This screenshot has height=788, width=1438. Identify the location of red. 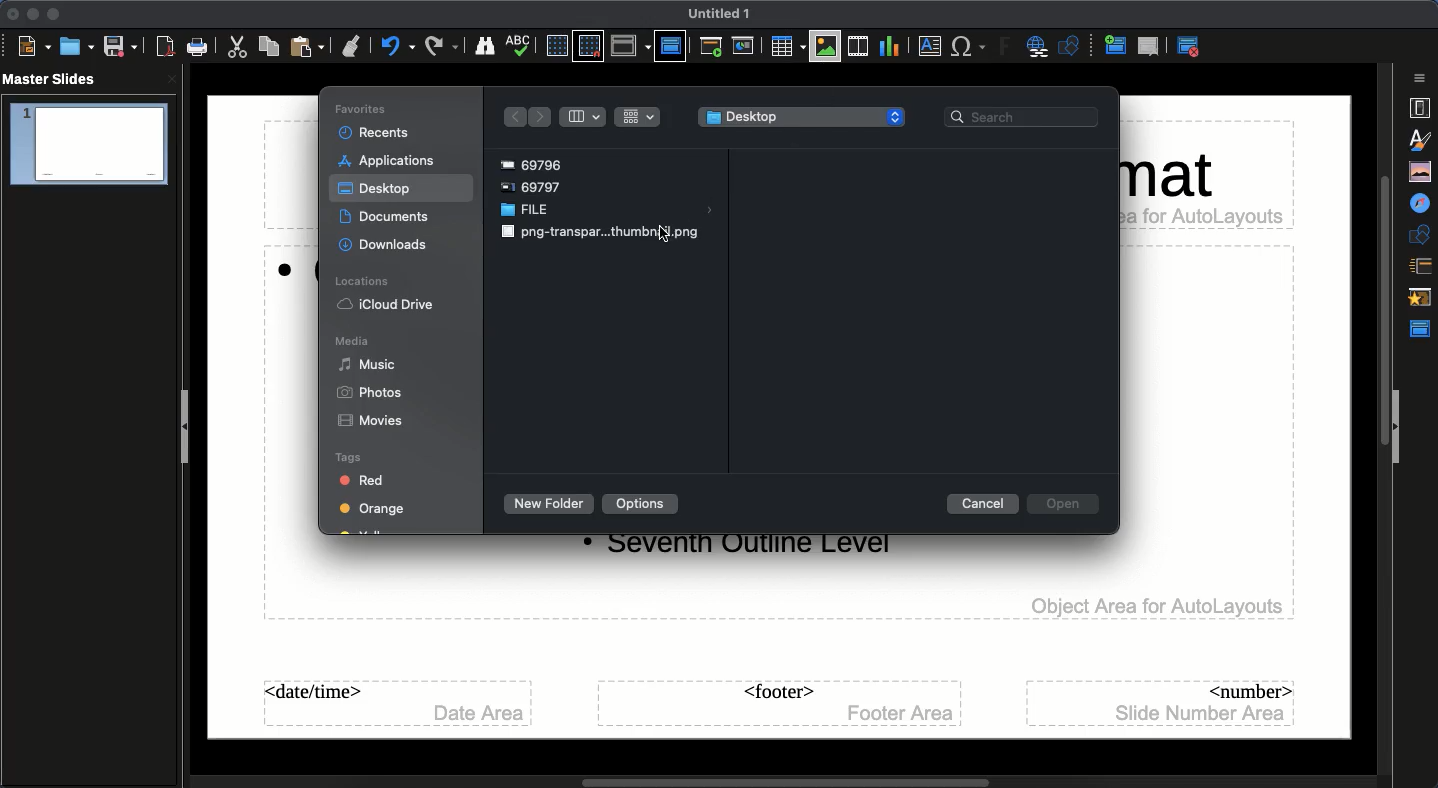
(368, 481).